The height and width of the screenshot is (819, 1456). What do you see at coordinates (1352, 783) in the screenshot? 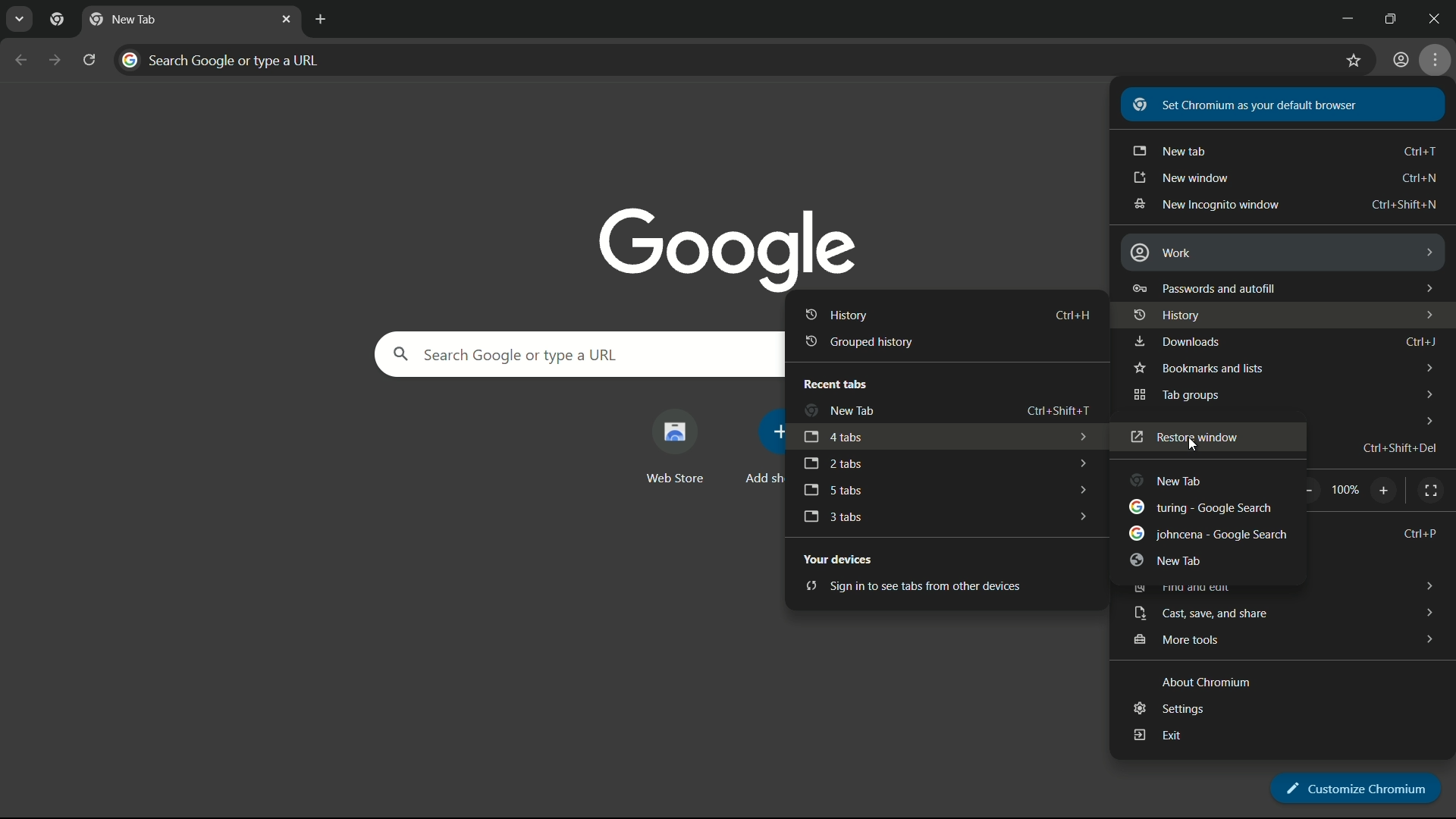
I see `customize chromium` at bounding box center [1352, 783].